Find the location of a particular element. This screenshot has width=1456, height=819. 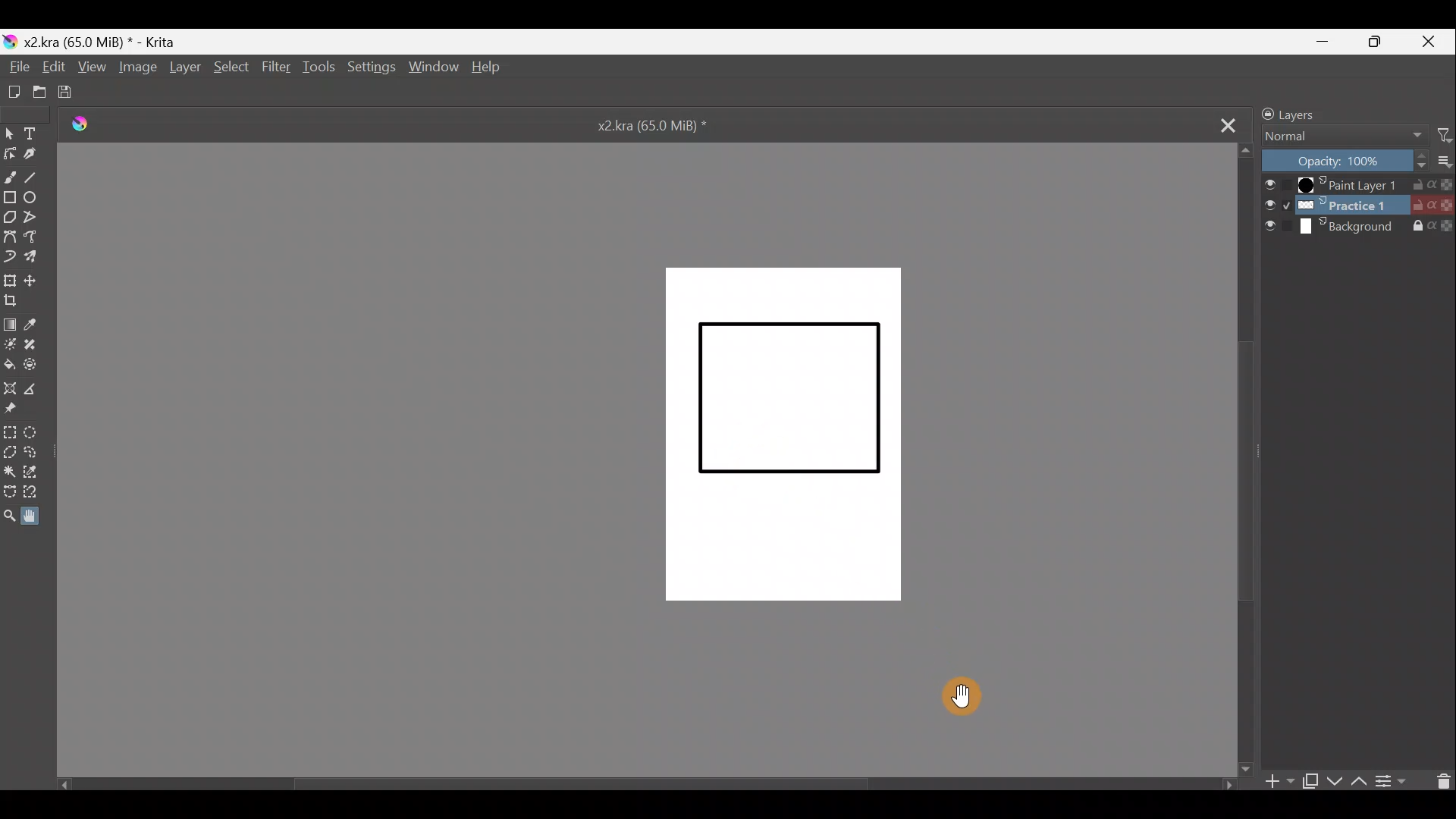

Ellipse tool is located at coordinates (36, 196).